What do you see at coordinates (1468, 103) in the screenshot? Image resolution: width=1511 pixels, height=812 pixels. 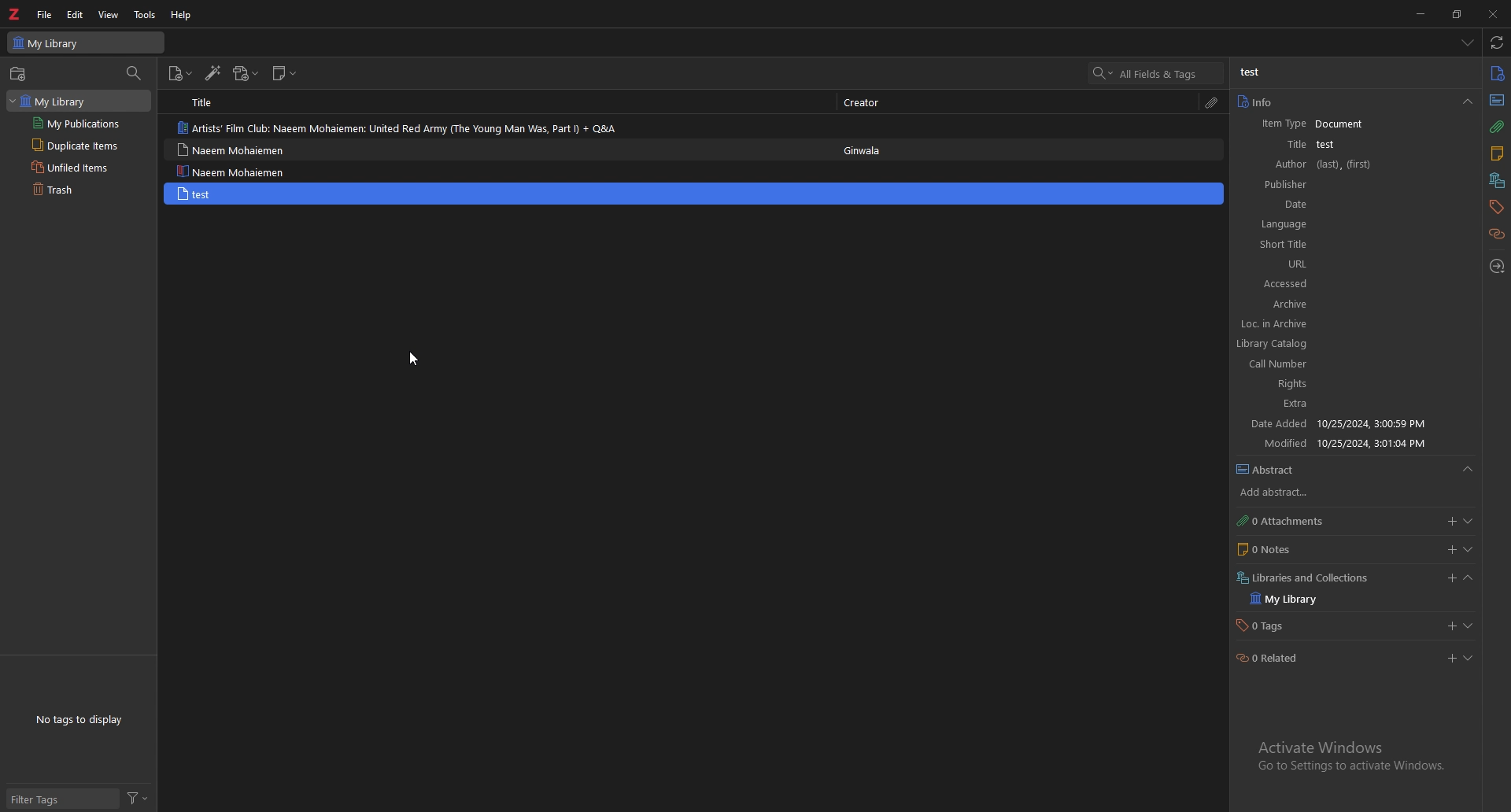 I see `drop down` at bounding box center [1468, 103].